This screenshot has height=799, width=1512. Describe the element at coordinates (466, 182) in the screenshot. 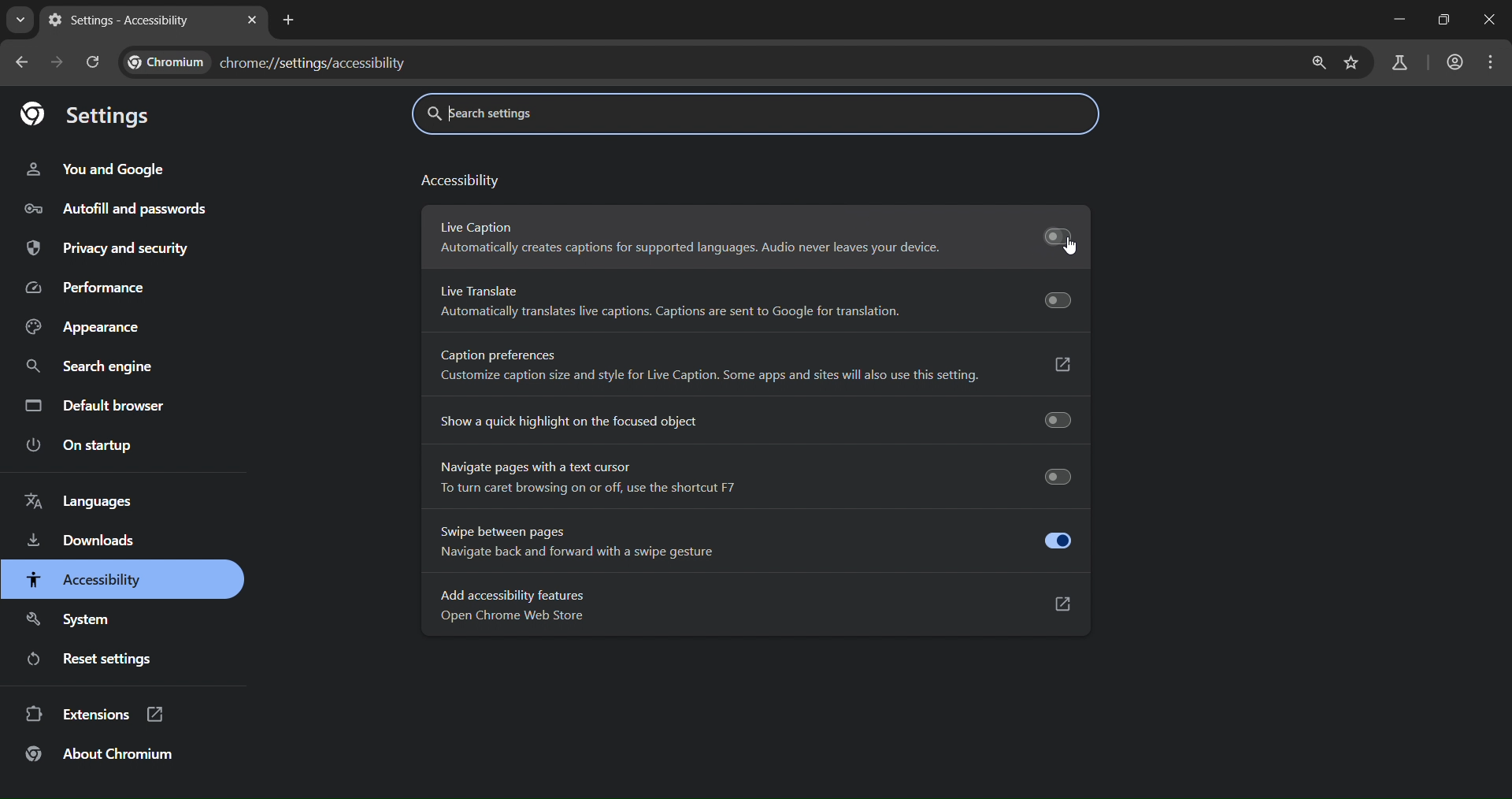

I see `accessibility` at that location.